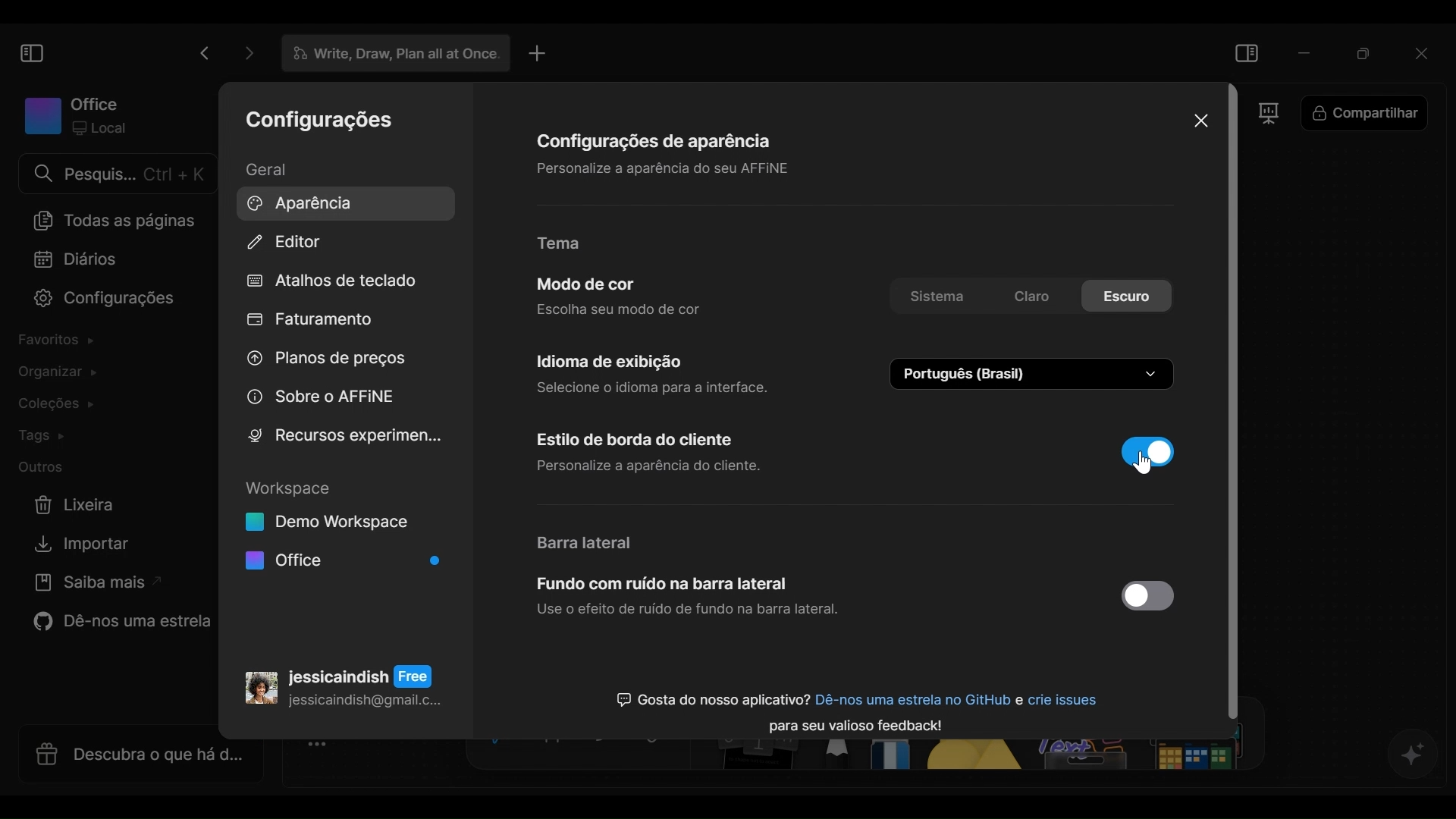  Describe the element at coordinates (340, 202) in the screenshot. I see `Appearance` at that location.